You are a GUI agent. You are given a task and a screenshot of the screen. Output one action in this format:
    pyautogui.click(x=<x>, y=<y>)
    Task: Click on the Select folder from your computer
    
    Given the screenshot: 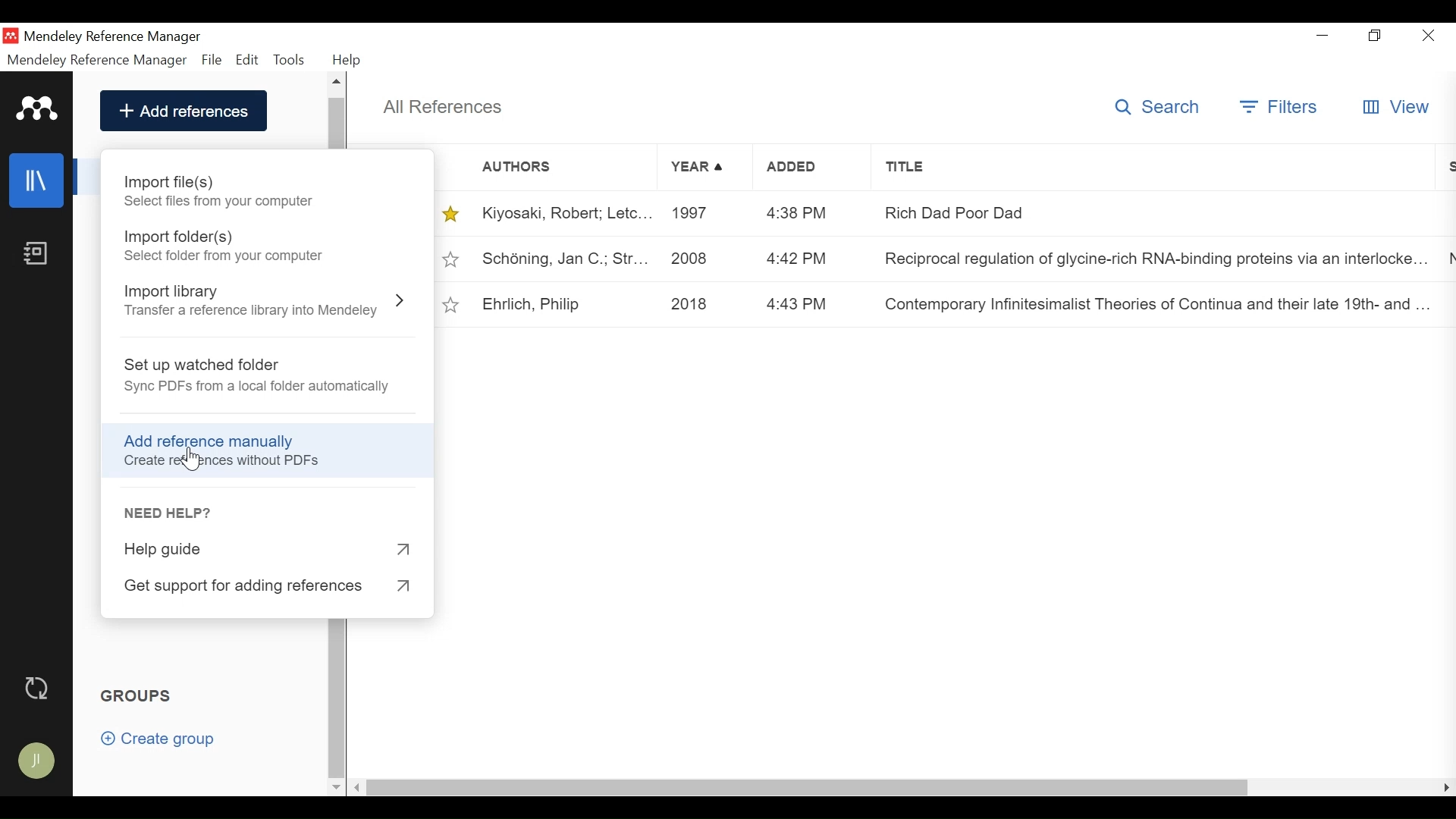 What is the action you would take?
    pyautogui.click(x=227, y=257)
    